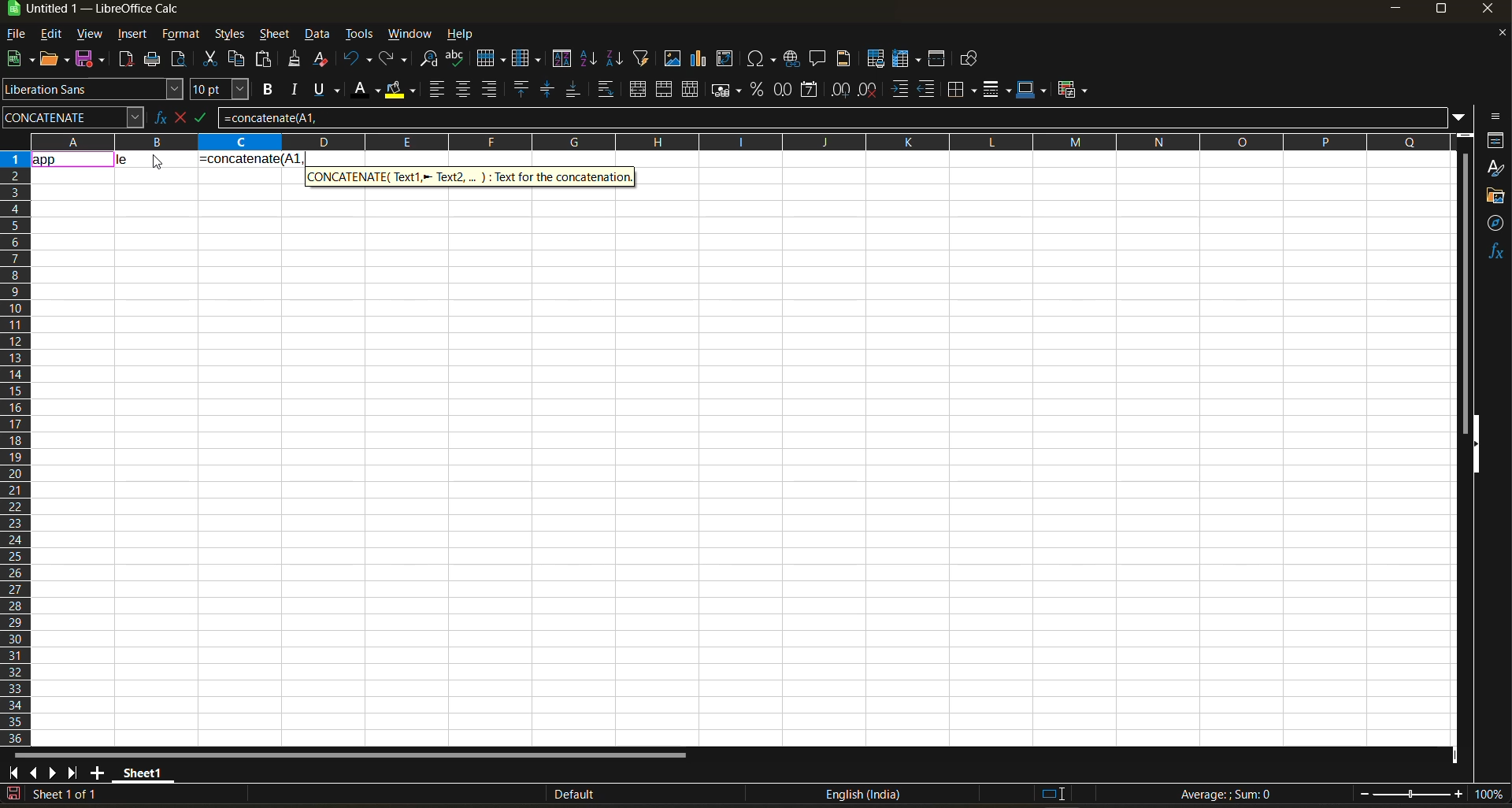  Describe the element at coordinates (439, 90) in the screenshot. I see `align left` at that location.